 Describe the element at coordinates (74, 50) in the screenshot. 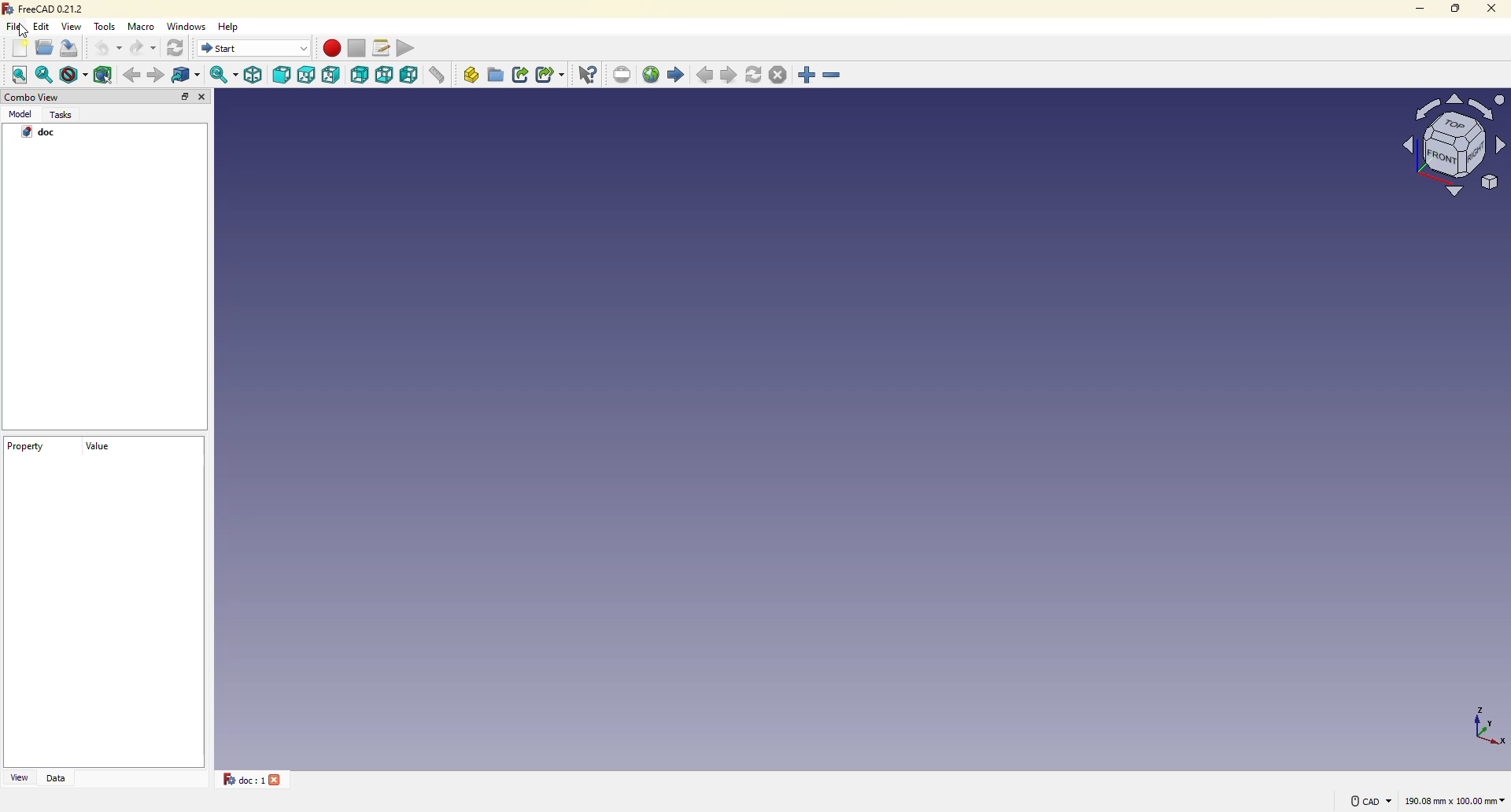

I see `save` at that location.